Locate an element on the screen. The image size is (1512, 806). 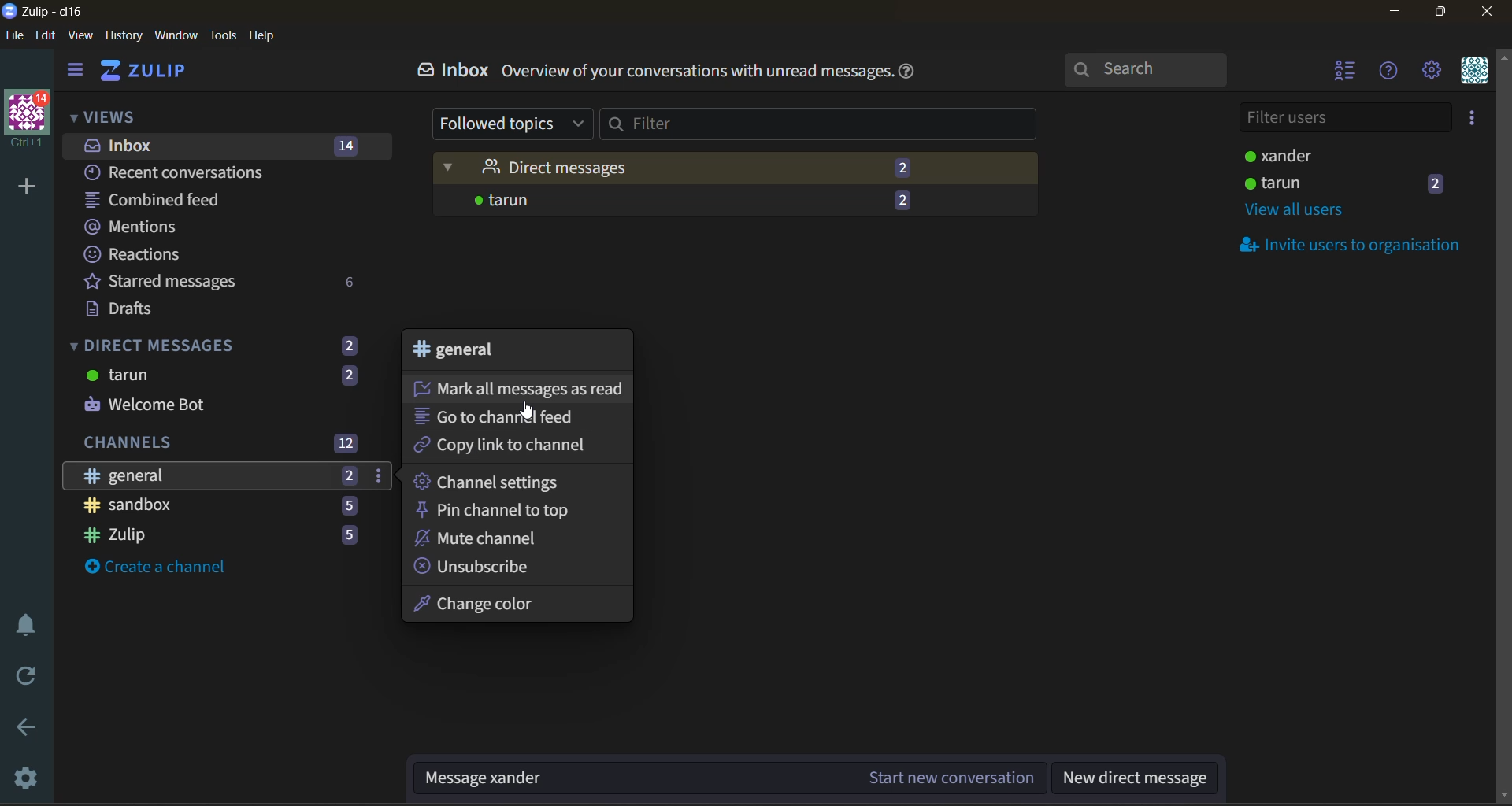
maximize is located at coordinates (1443, 10).